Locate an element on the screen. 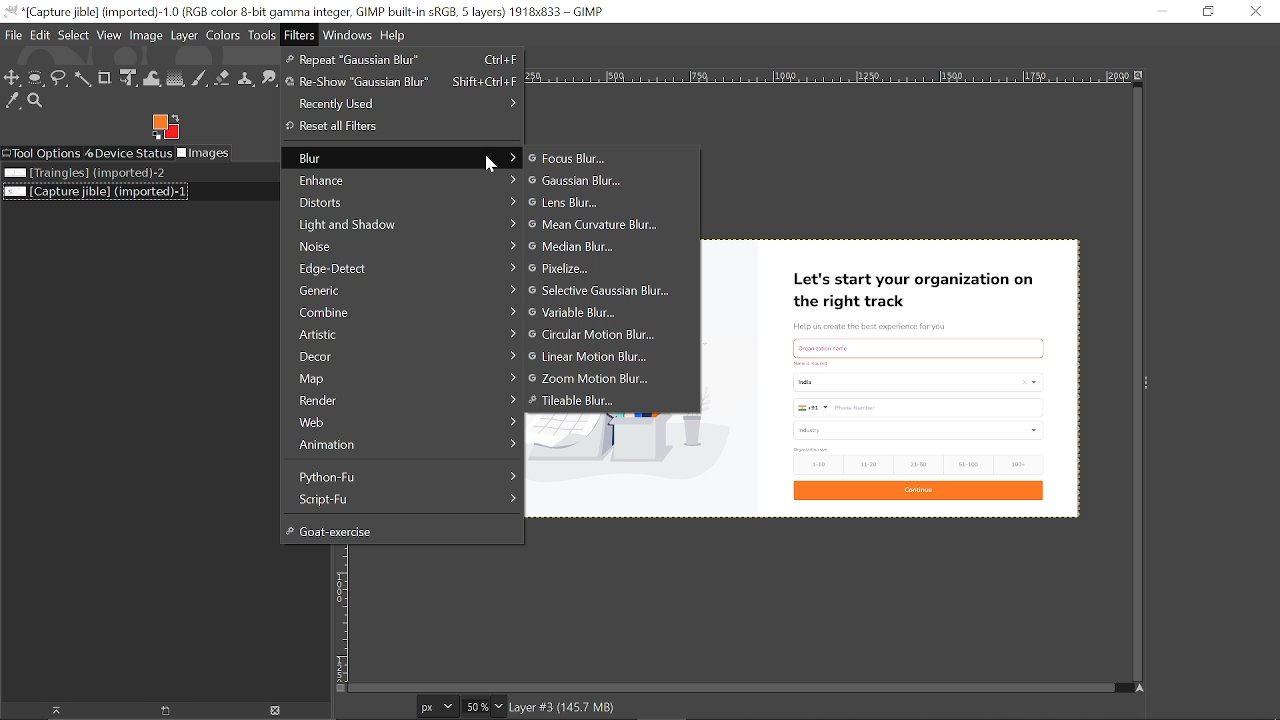 Image resolution: width=1280 pixels, height=720 pixels. Raise this image display is located at coordinates (54, 711).